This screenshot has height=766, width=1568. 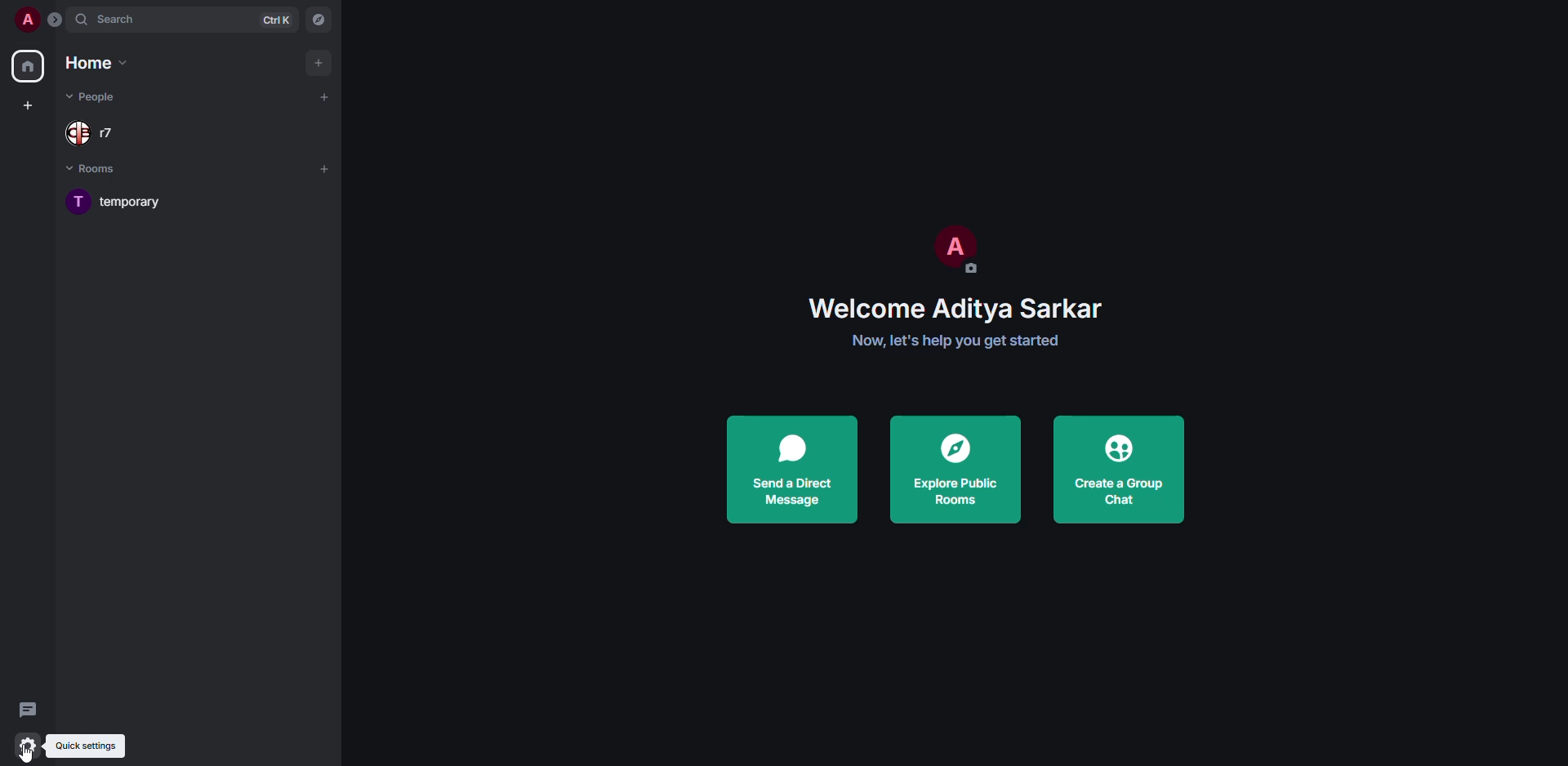 What do you see at coordinates (319, 22) in the screenshot?
I see `navigator` at bounding box center [319, 22].